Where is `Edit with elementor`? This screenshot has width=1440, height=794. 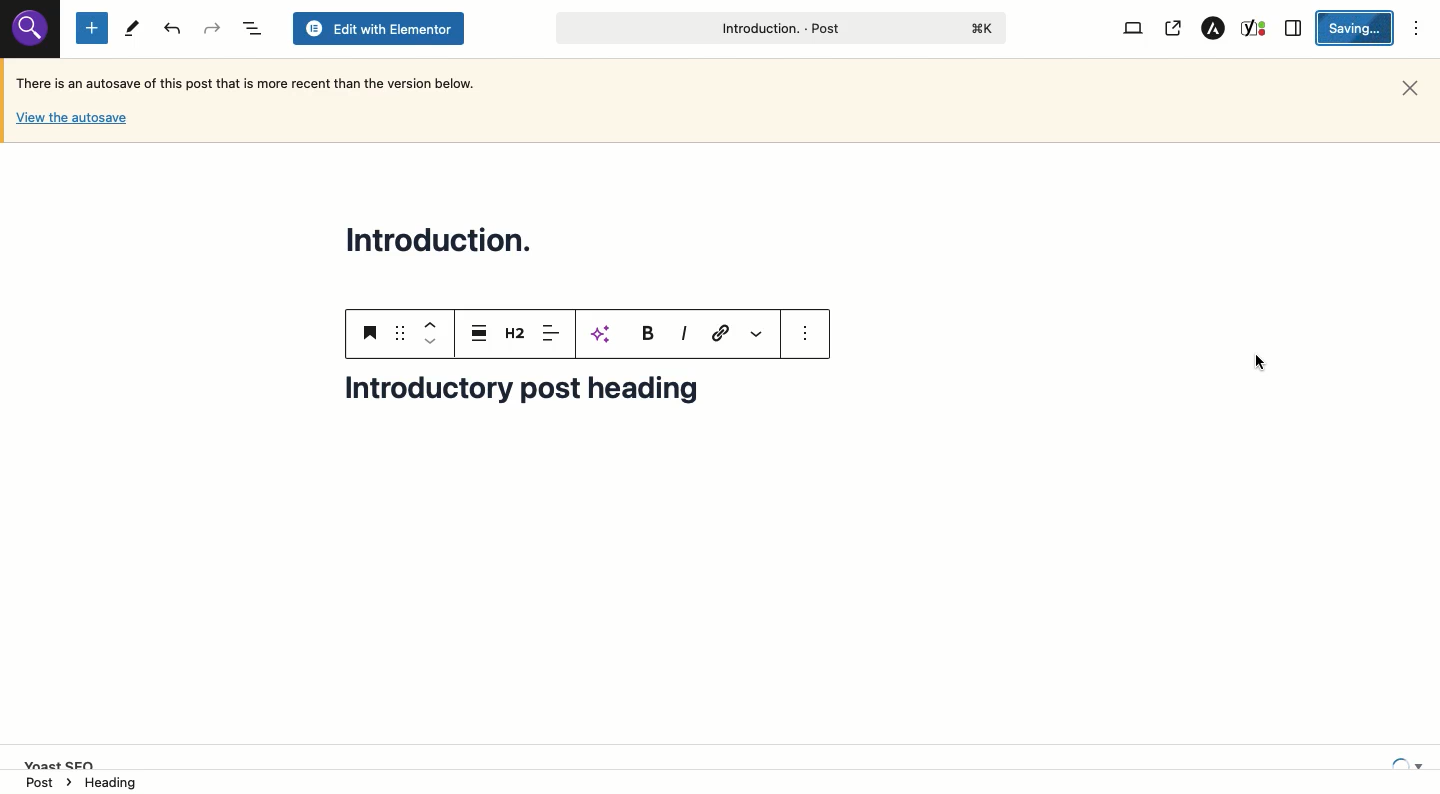 Edit with elementor is located at coordinates (378, 29).